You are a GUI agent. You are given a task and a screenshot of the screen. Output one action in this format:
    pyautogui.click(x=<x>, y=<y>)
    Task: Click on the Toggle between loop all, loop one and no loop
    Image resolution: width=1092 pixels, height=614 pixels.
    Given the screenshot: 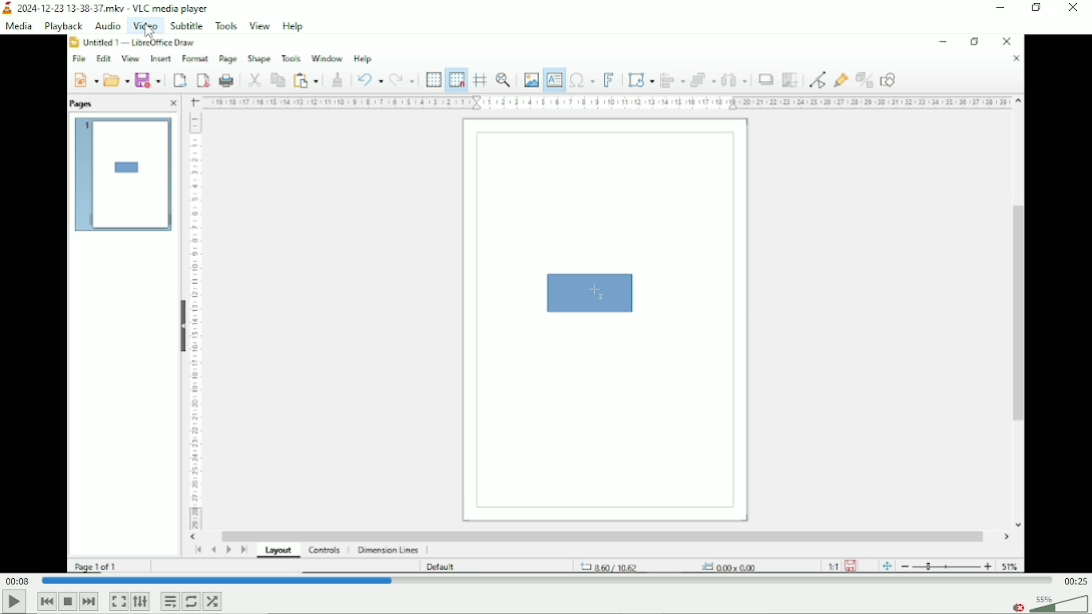 What is the action you would take?
    pyautogui.click(x=192, y=601)
    